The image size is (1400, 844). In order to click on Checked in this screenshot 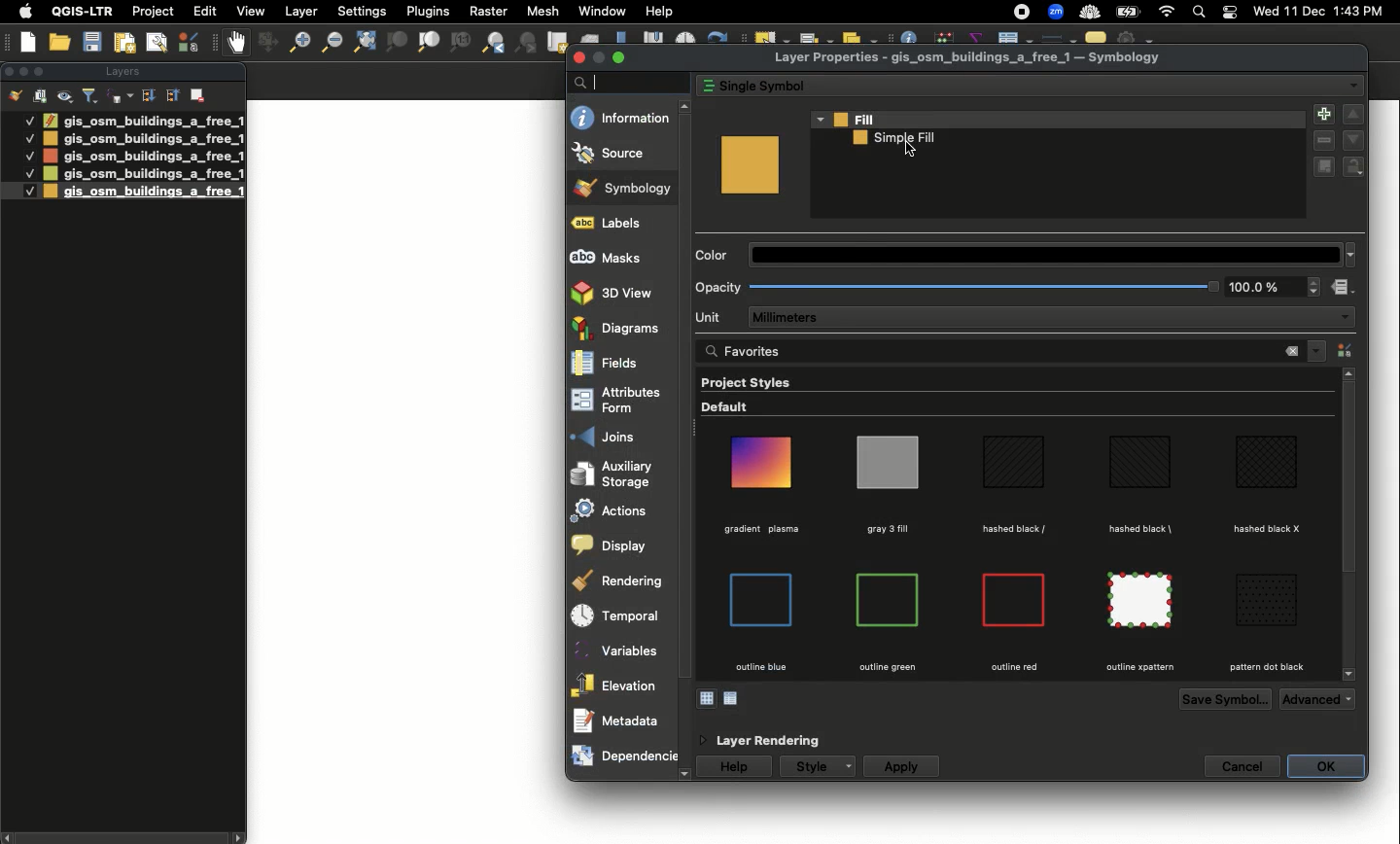, I will do `click(29, 156)`.